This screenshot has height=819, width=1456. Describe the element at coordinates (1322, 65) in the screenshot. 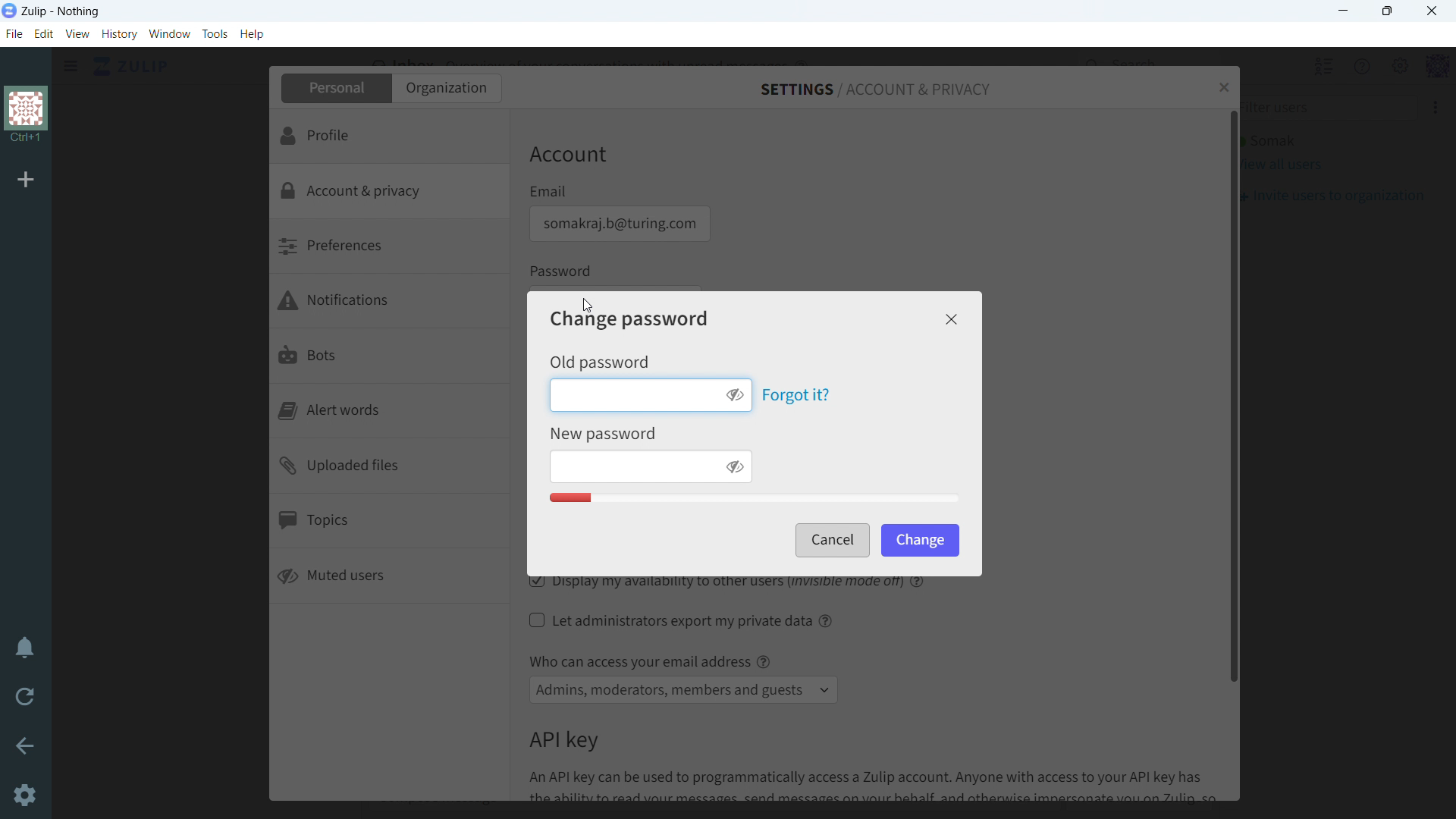

I see `hide all users` at that location.